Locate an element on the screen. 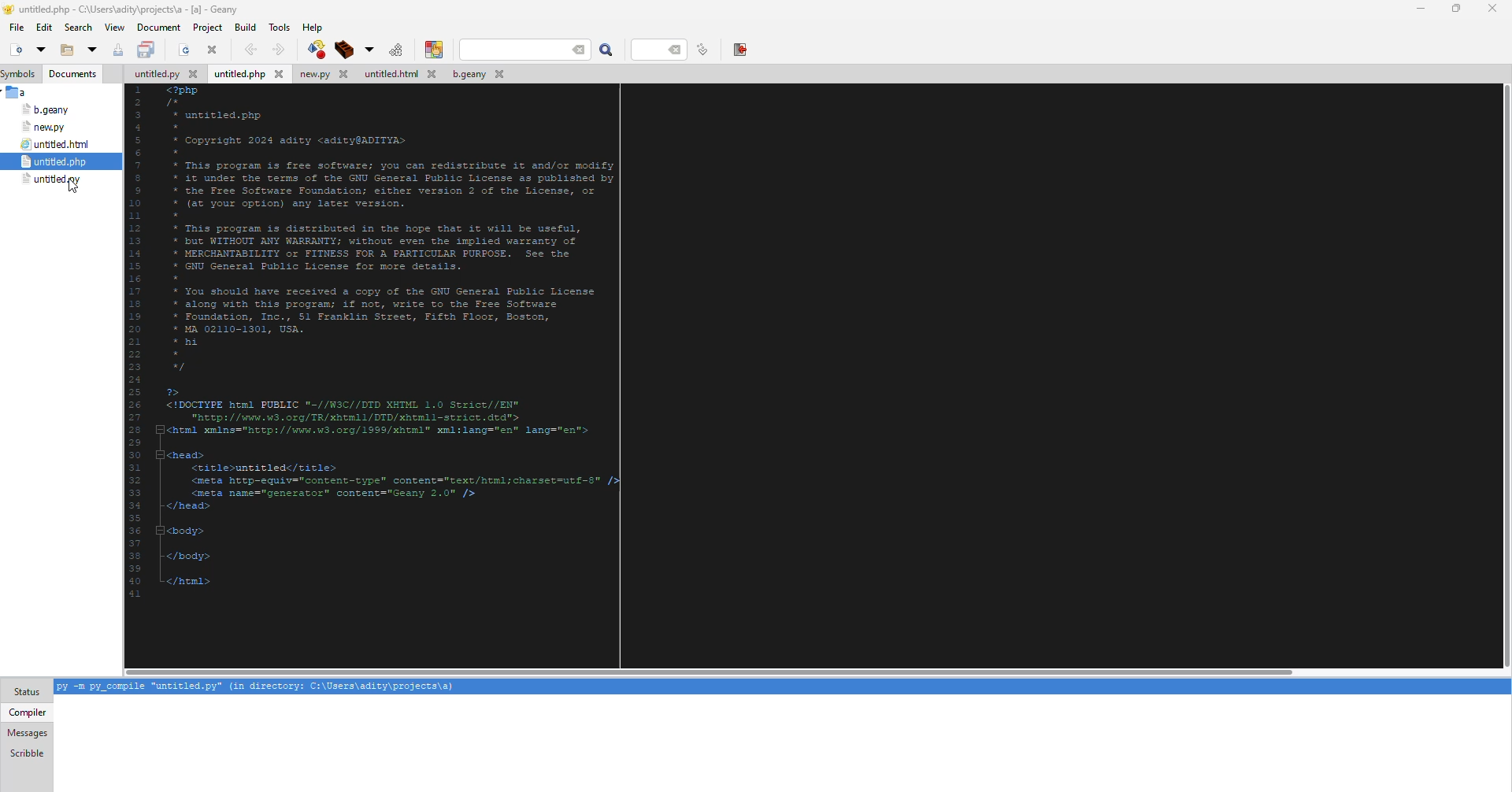 The image size is (1512, 792). save is located at coordinates (117, 49).